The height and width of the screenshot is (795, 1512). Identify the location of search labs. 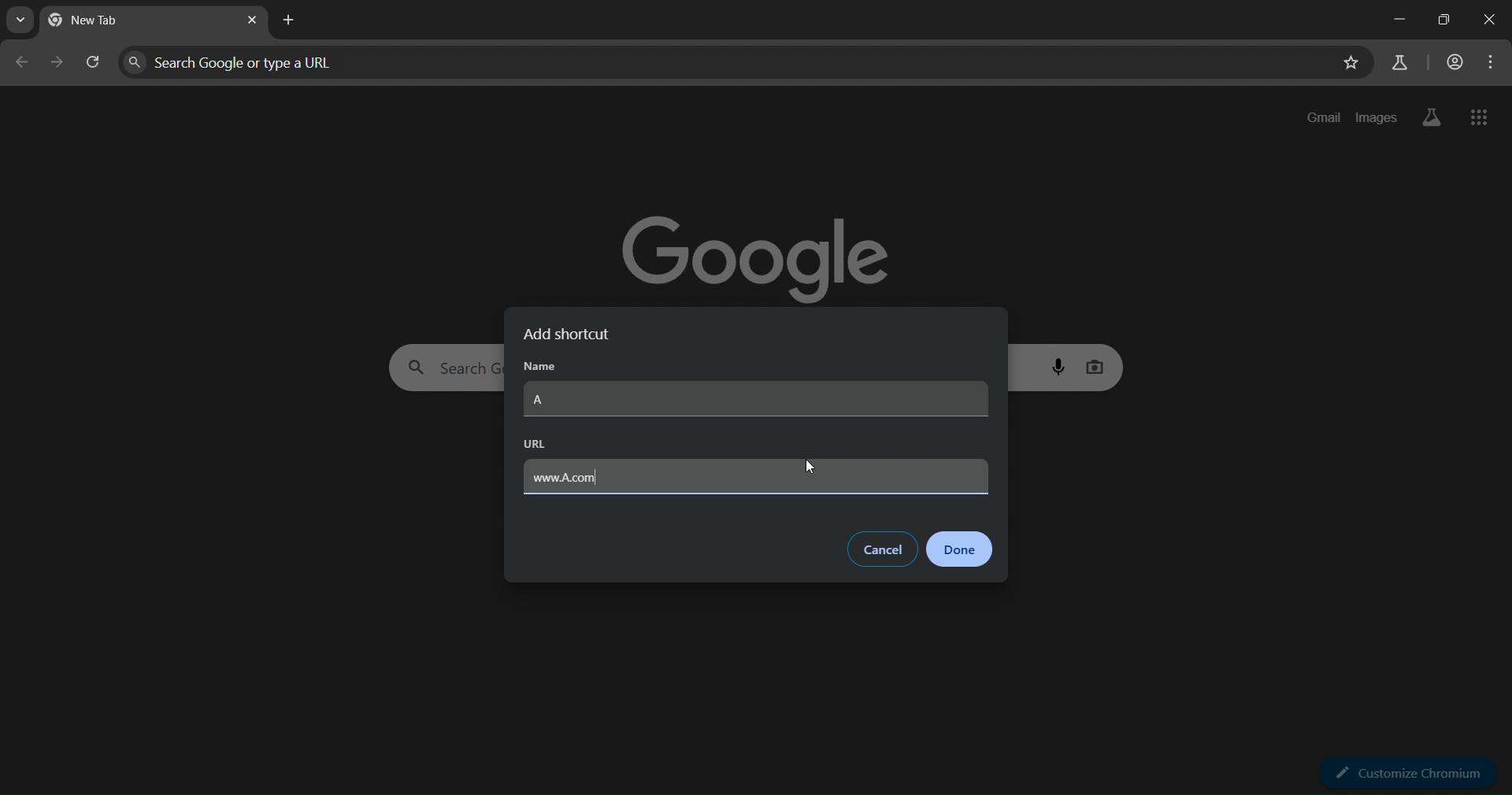
(1398, 62).